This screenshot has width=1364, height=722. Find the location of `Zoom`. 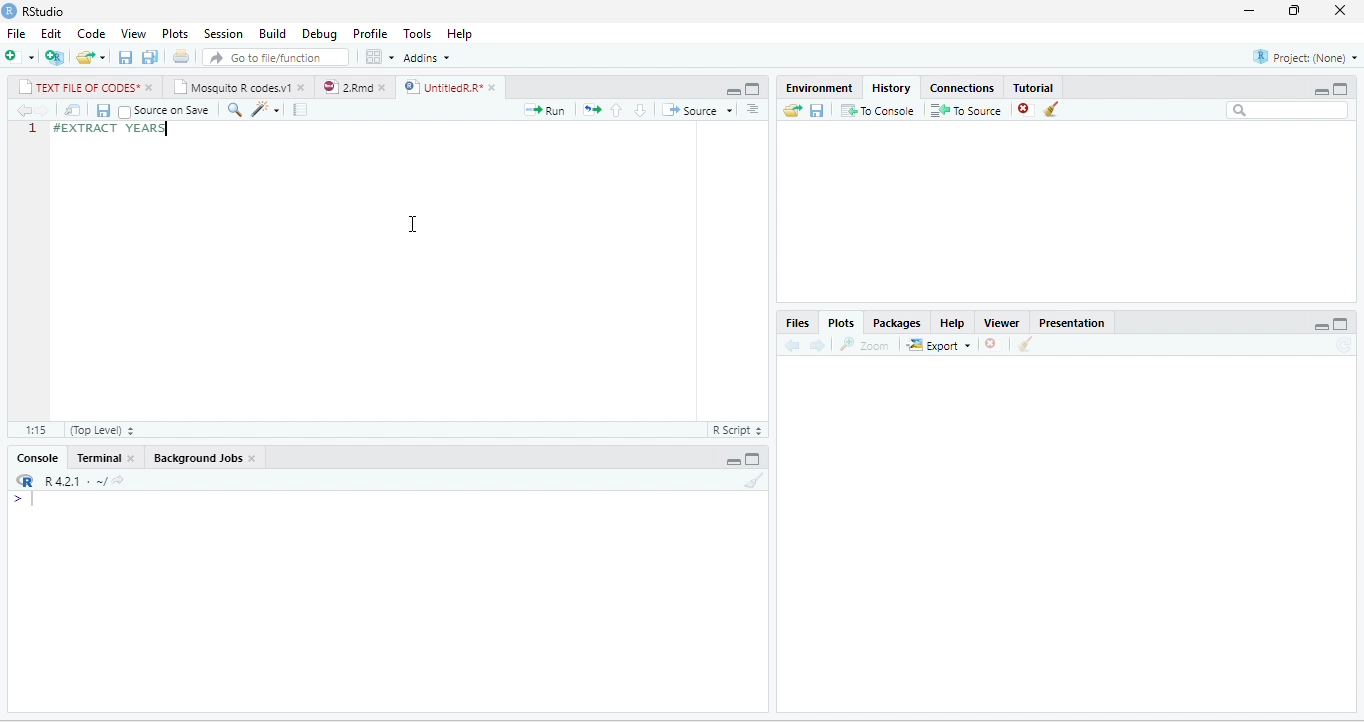

Zoom is located at coordinates (864, 344).